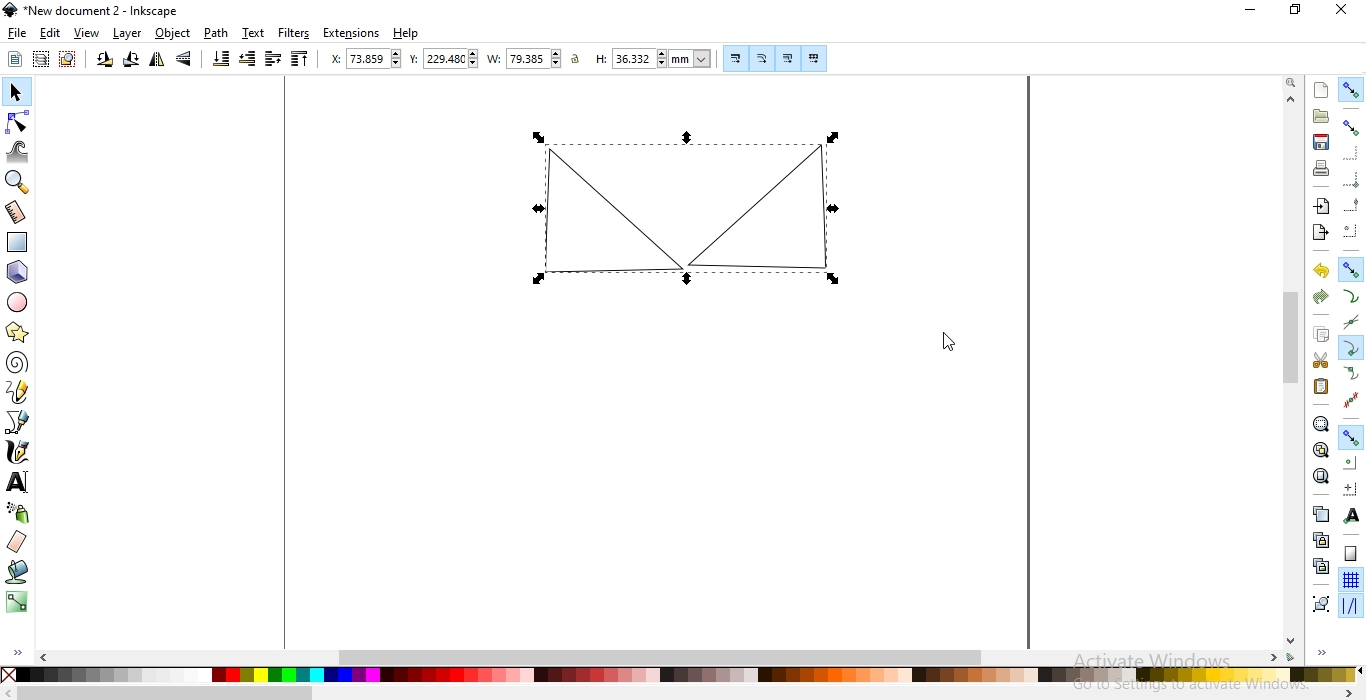  Describe the element at coordinates (1350, 296) in the screenshot. I see `snap to paths` at that location.